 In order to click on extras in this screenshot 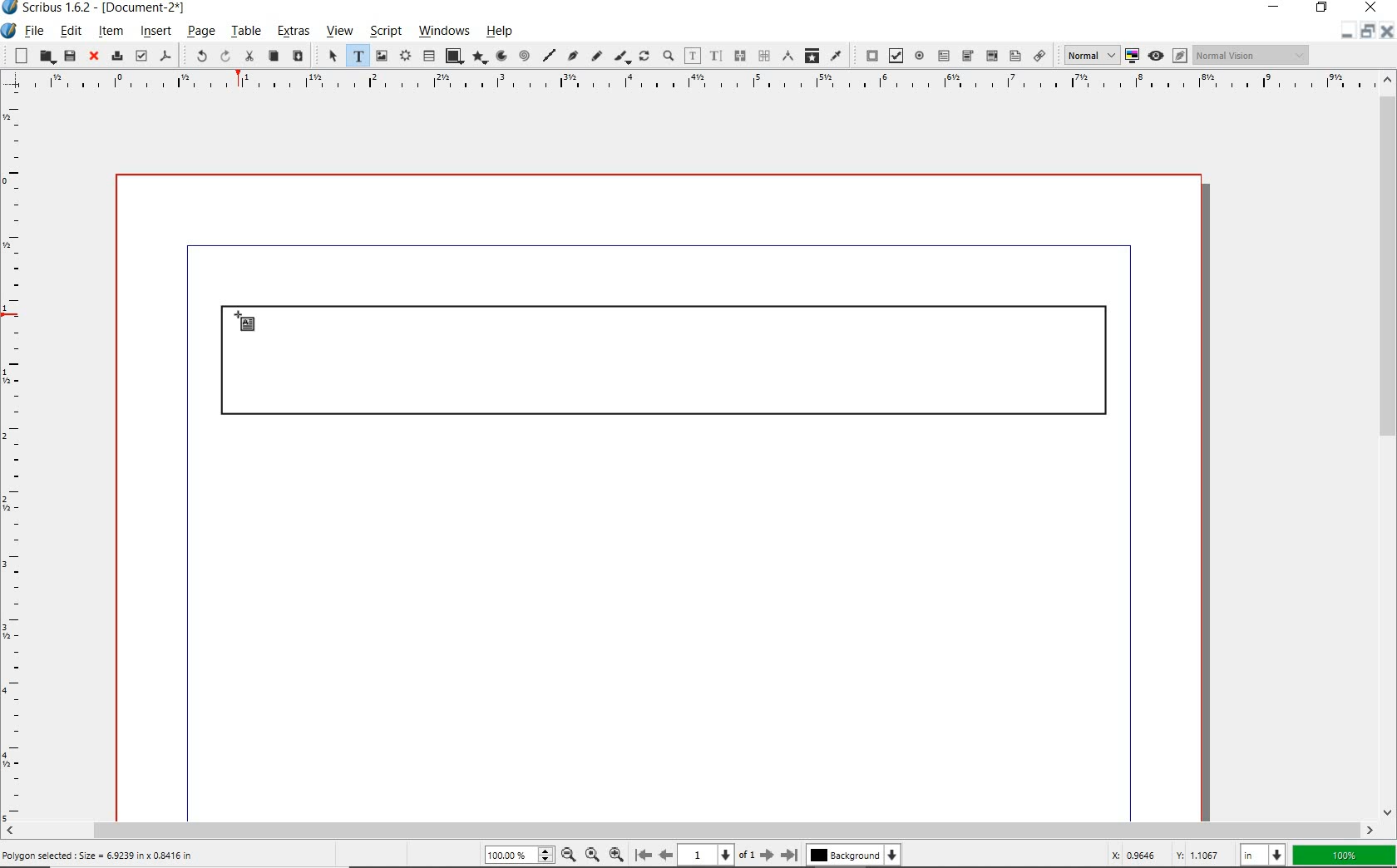, I will do `click(294, 32)`.